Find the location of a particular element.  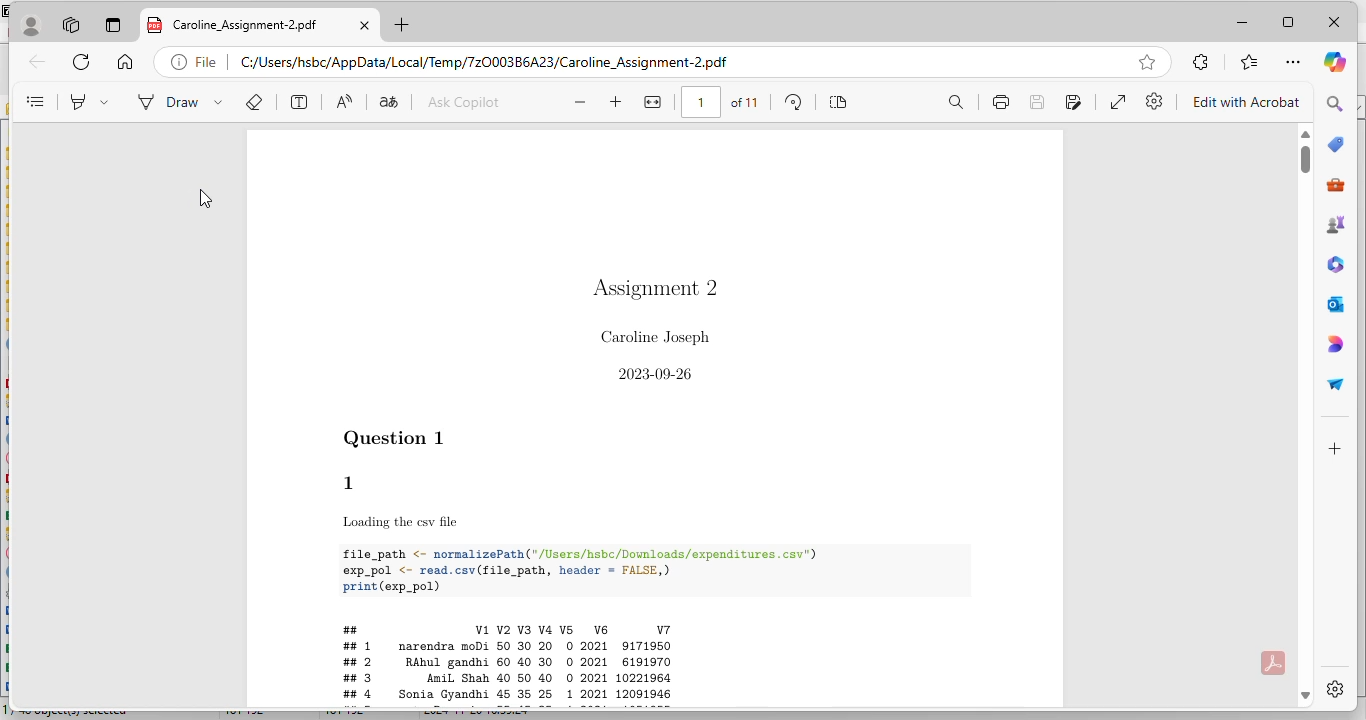

close is located at coordinates (1334, 22).